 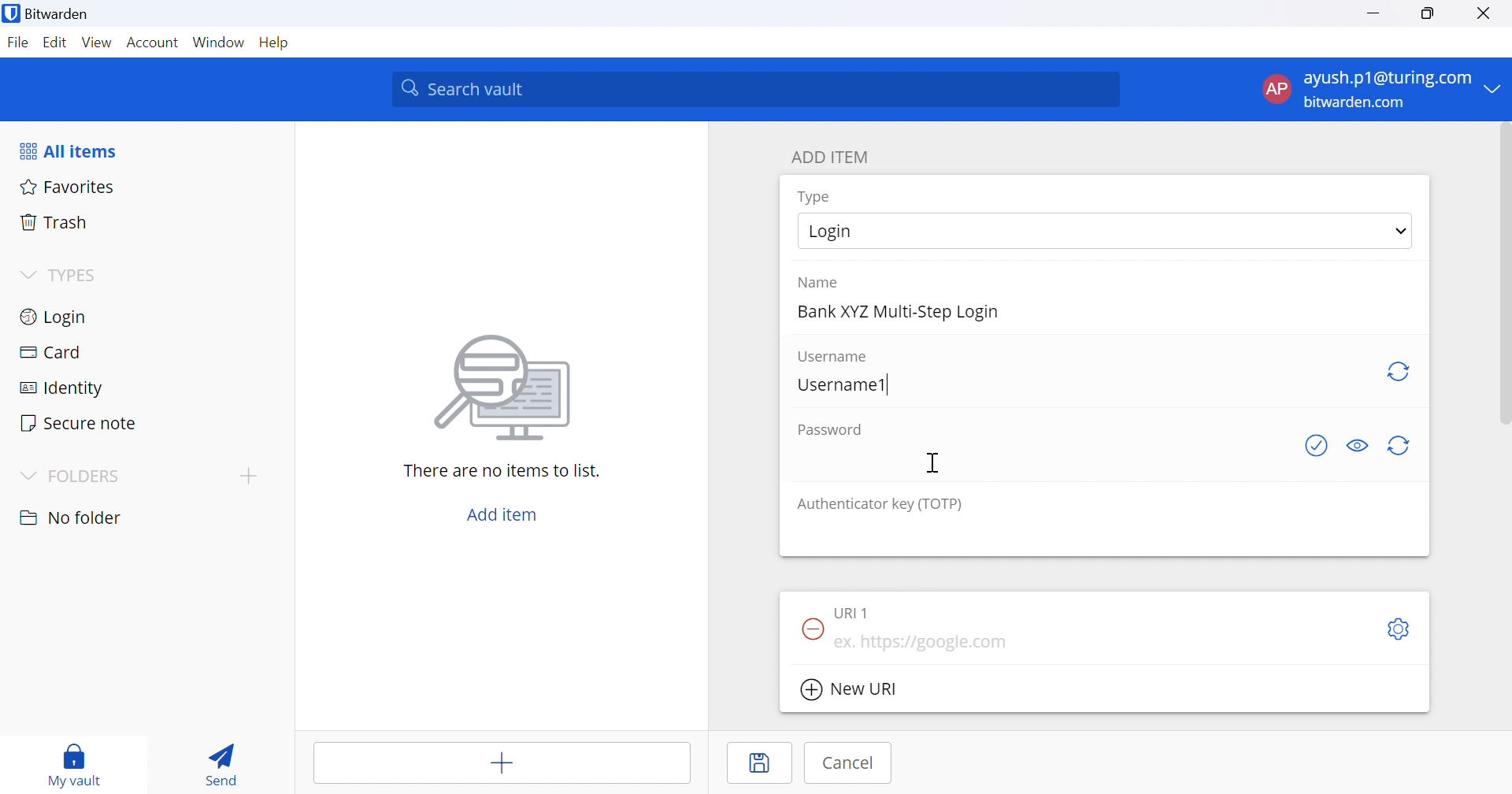 I want to click on Settings, so click(x=1401, y=629).